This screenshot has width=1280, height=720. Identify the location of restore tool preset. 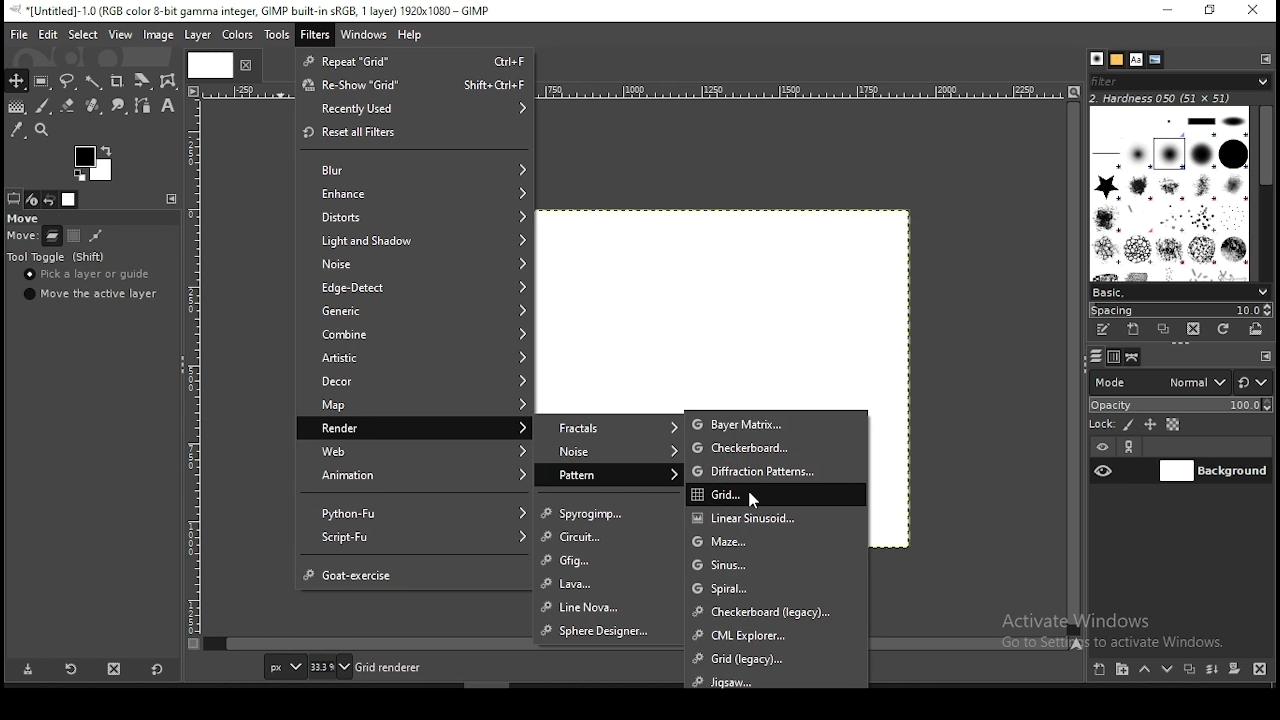
(75, 668).